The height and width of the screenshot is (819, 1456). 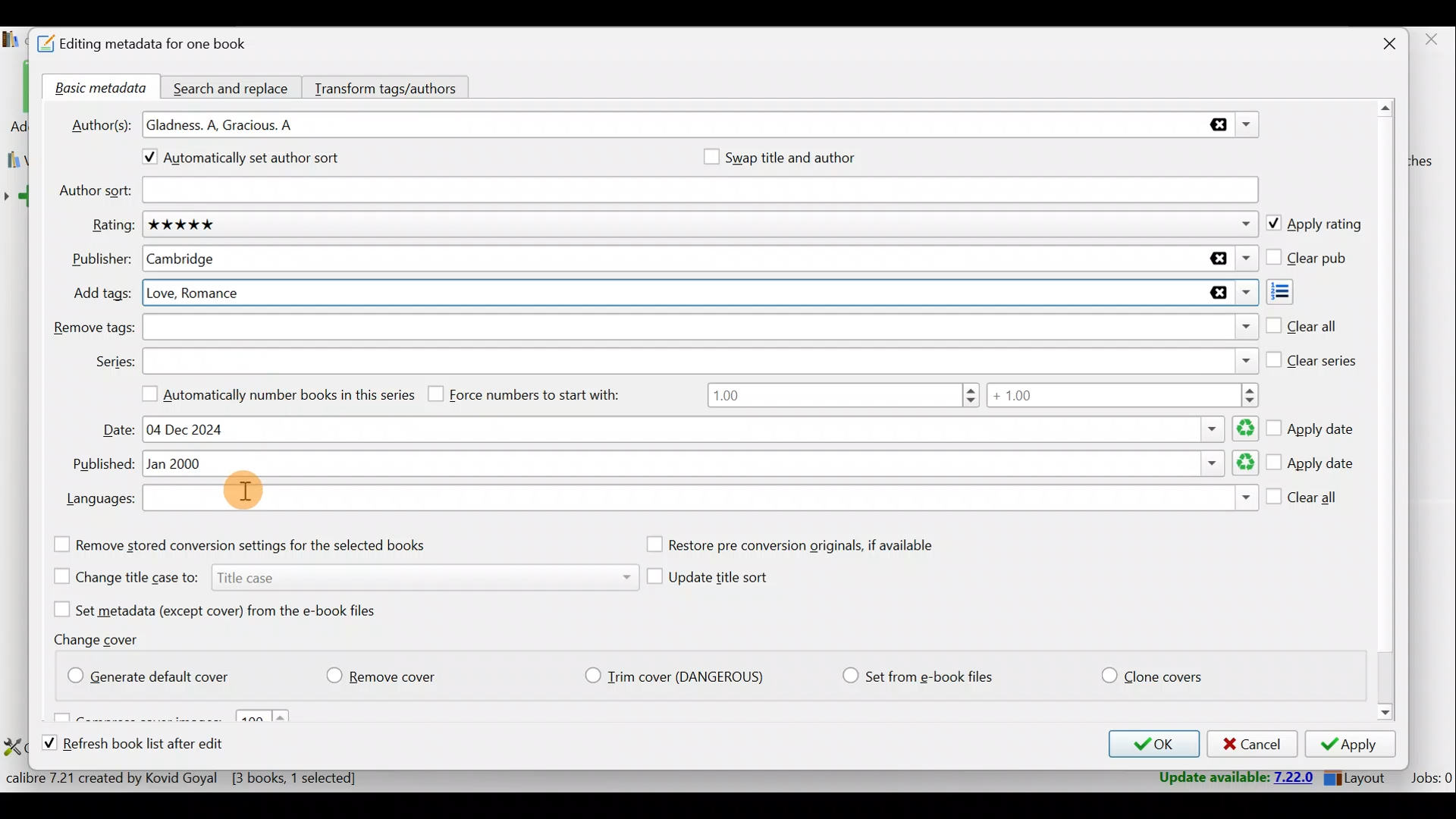 I want to click on OK, so click(x=1150, y=744).